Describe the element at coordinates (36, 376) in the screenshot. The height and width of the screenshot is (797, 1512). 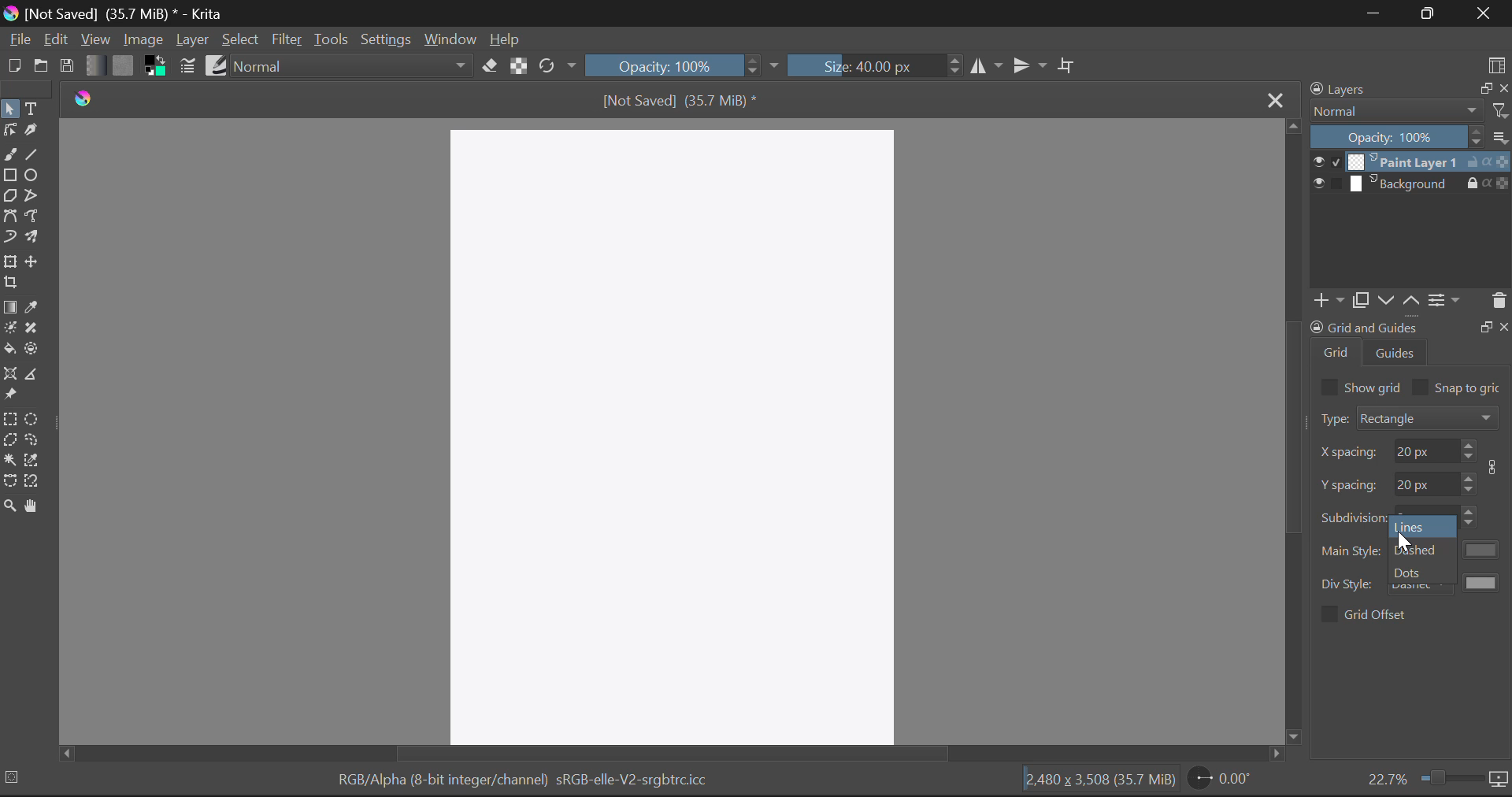
I see `Measurements` at that location.